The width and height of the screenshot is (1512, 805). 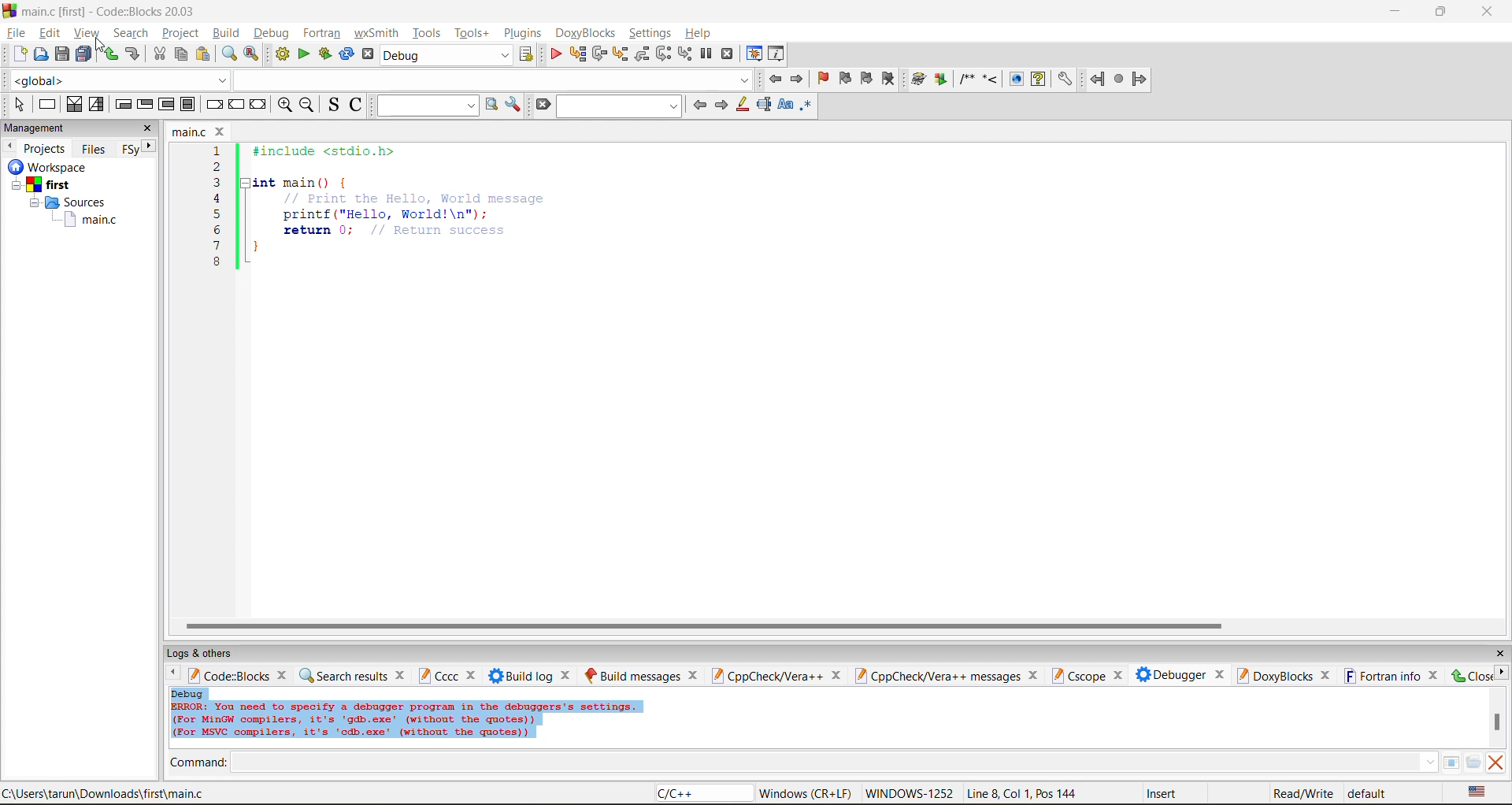 What do you see at coordinates (104, 792) in the screenshot?
I see `C:\Users\tarun\Downloads\first\main.c` at bounding box center [104, 792].